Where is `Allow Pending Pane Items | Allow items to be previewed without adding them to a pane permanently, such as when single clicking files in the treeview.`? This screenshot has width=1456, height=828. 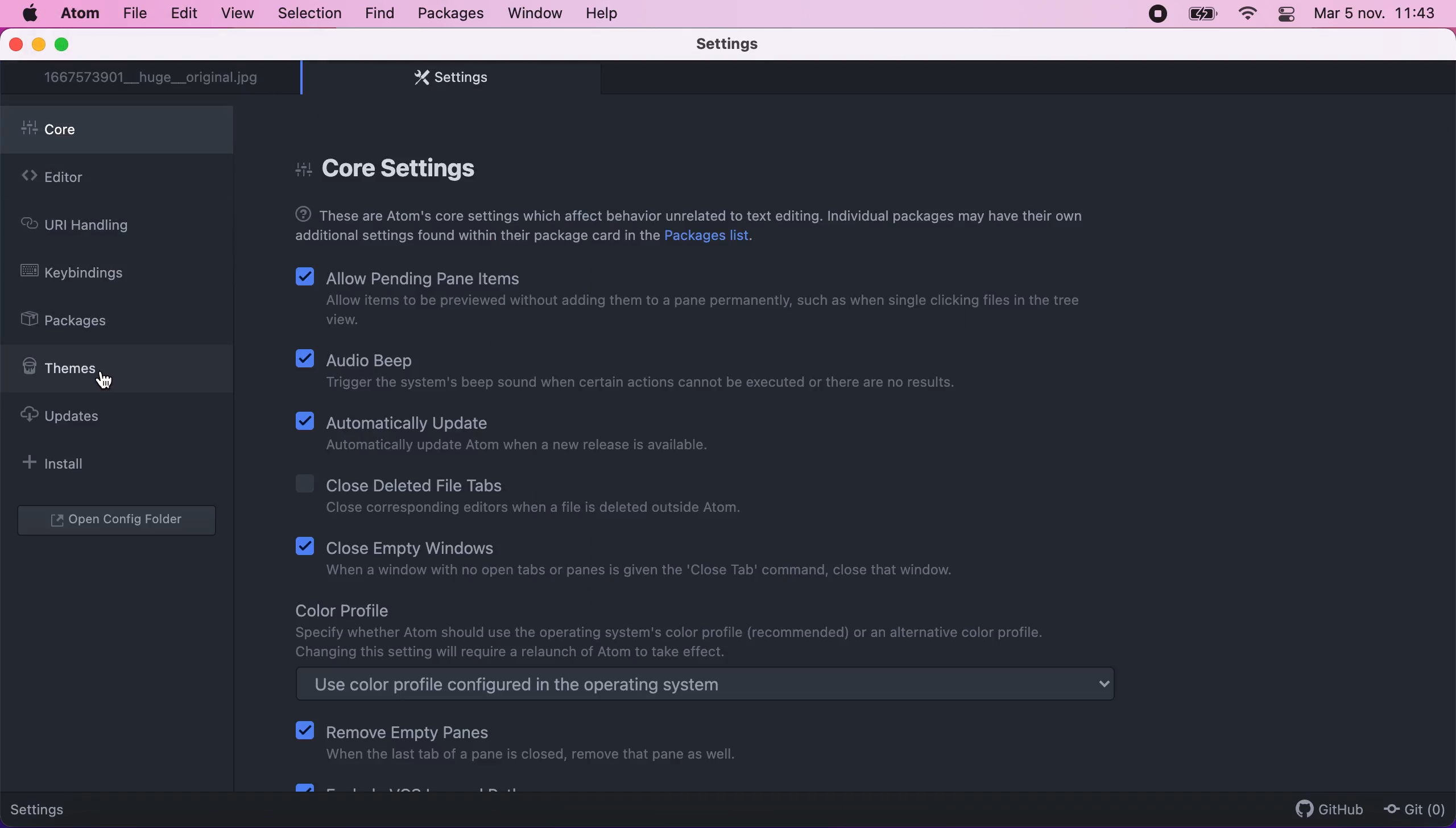 Allow Pending Pane Items | Allow items to be previewed without adding them to a pane permanently, such as when single clicking files in the treeview. is located at coordinates (691, 301).